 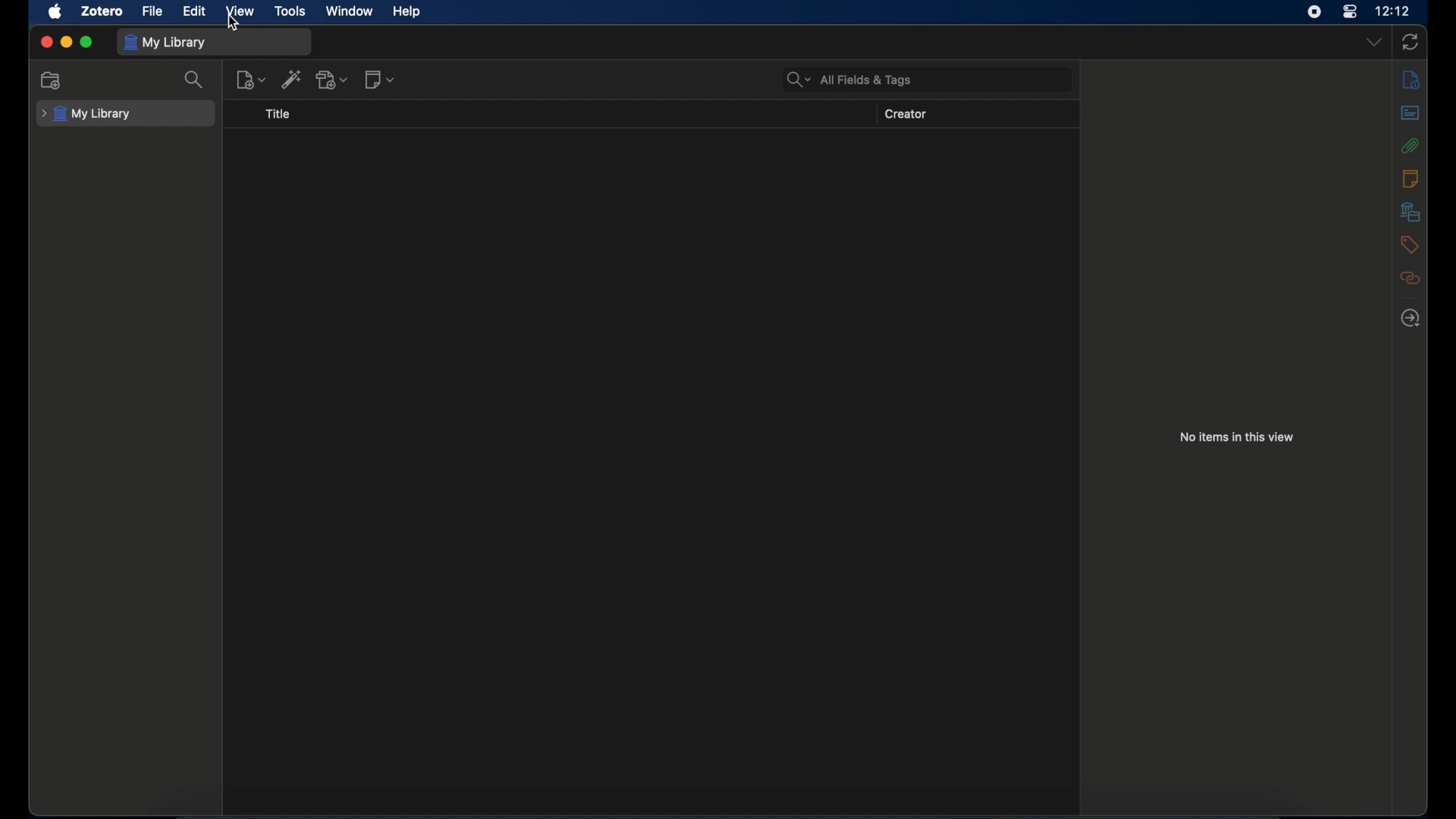 What do you see at coordinates (103, 11) in the screenshot?
I see `zotero` at bounding box center [103, 11].